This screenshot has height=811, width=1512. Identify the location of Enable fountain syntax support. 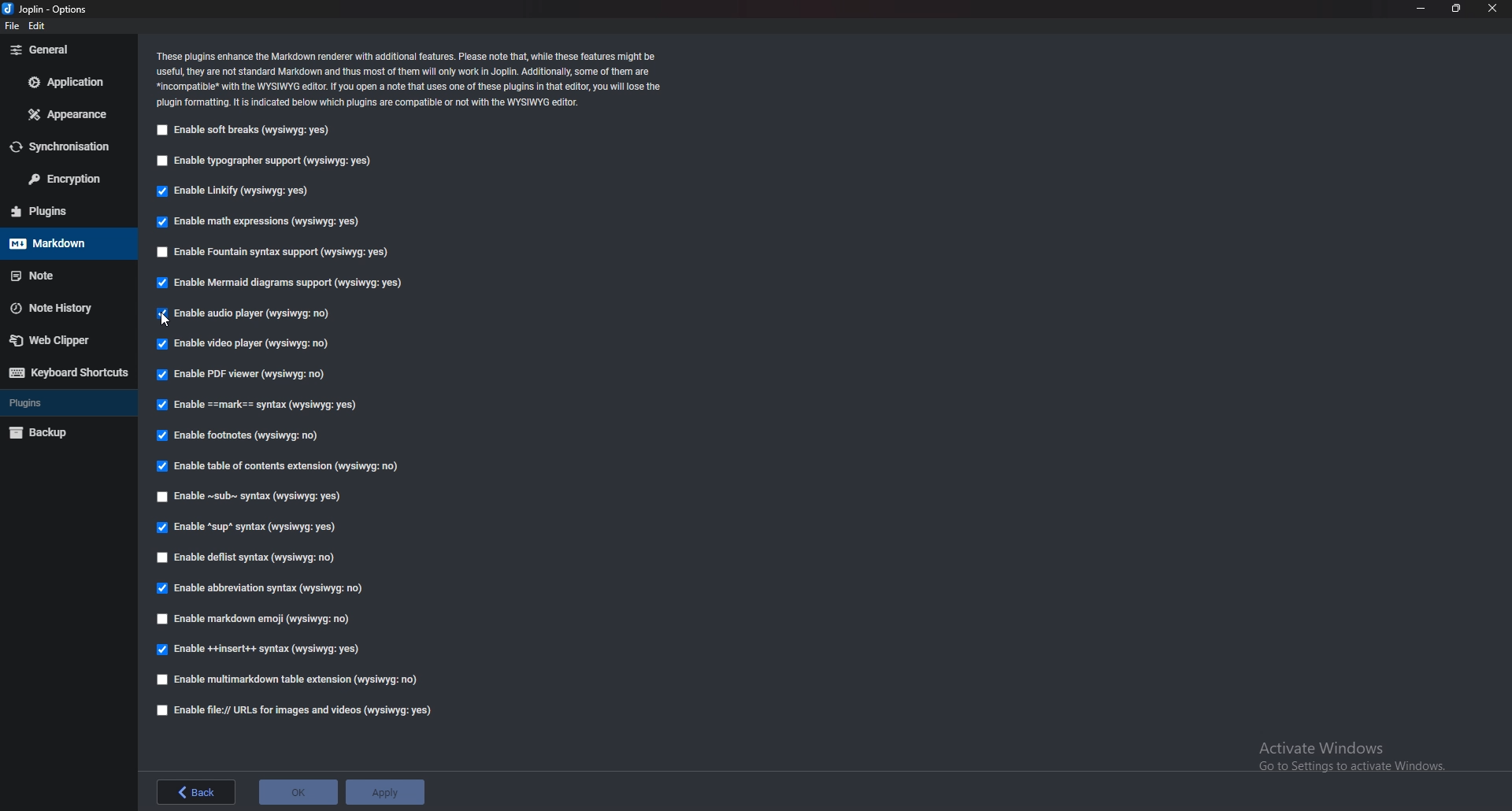
(286, 253).